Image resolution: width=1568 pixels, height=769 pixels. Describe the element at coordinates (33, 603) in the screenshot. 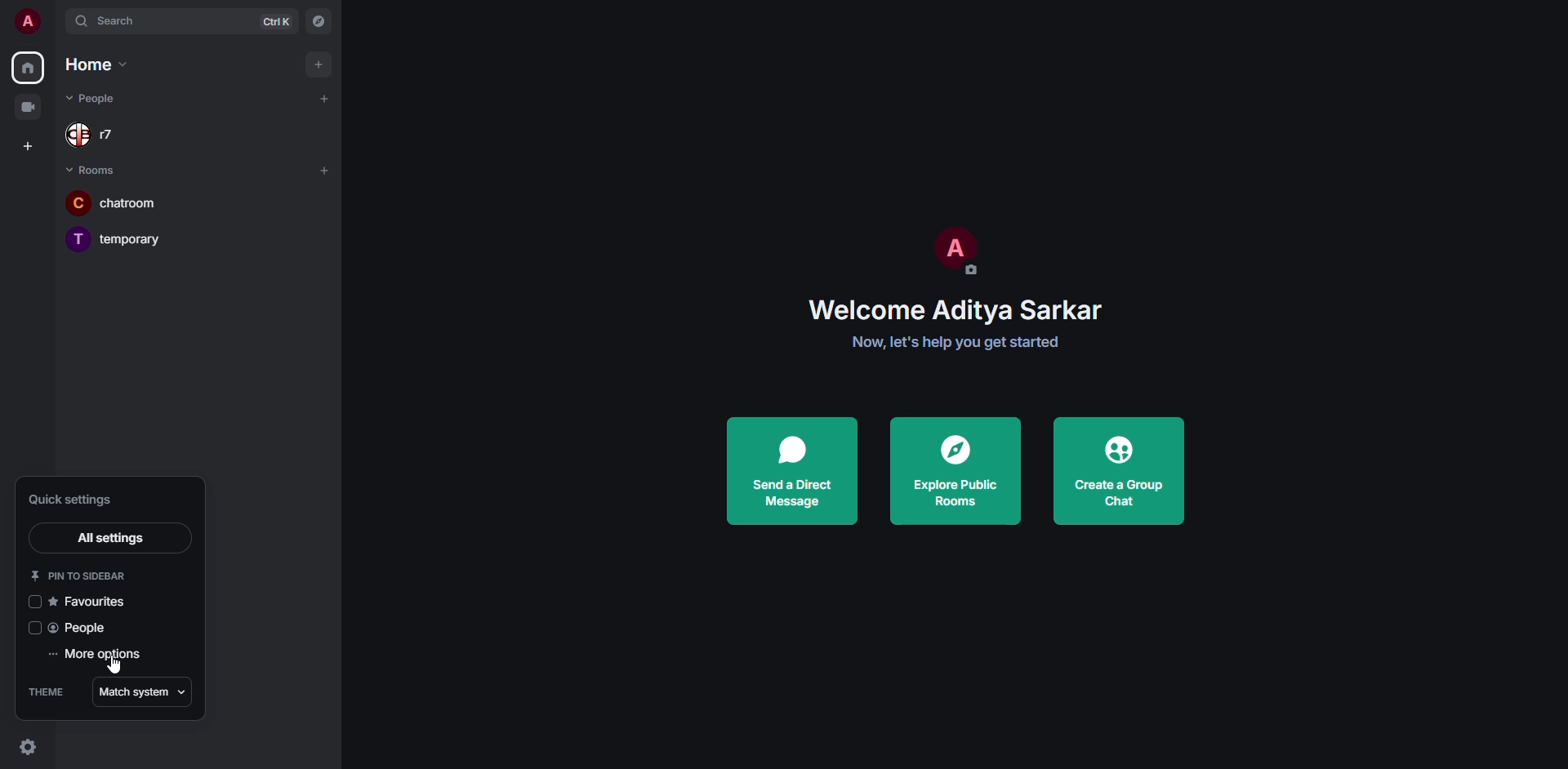

I see `click to enable` at that location.